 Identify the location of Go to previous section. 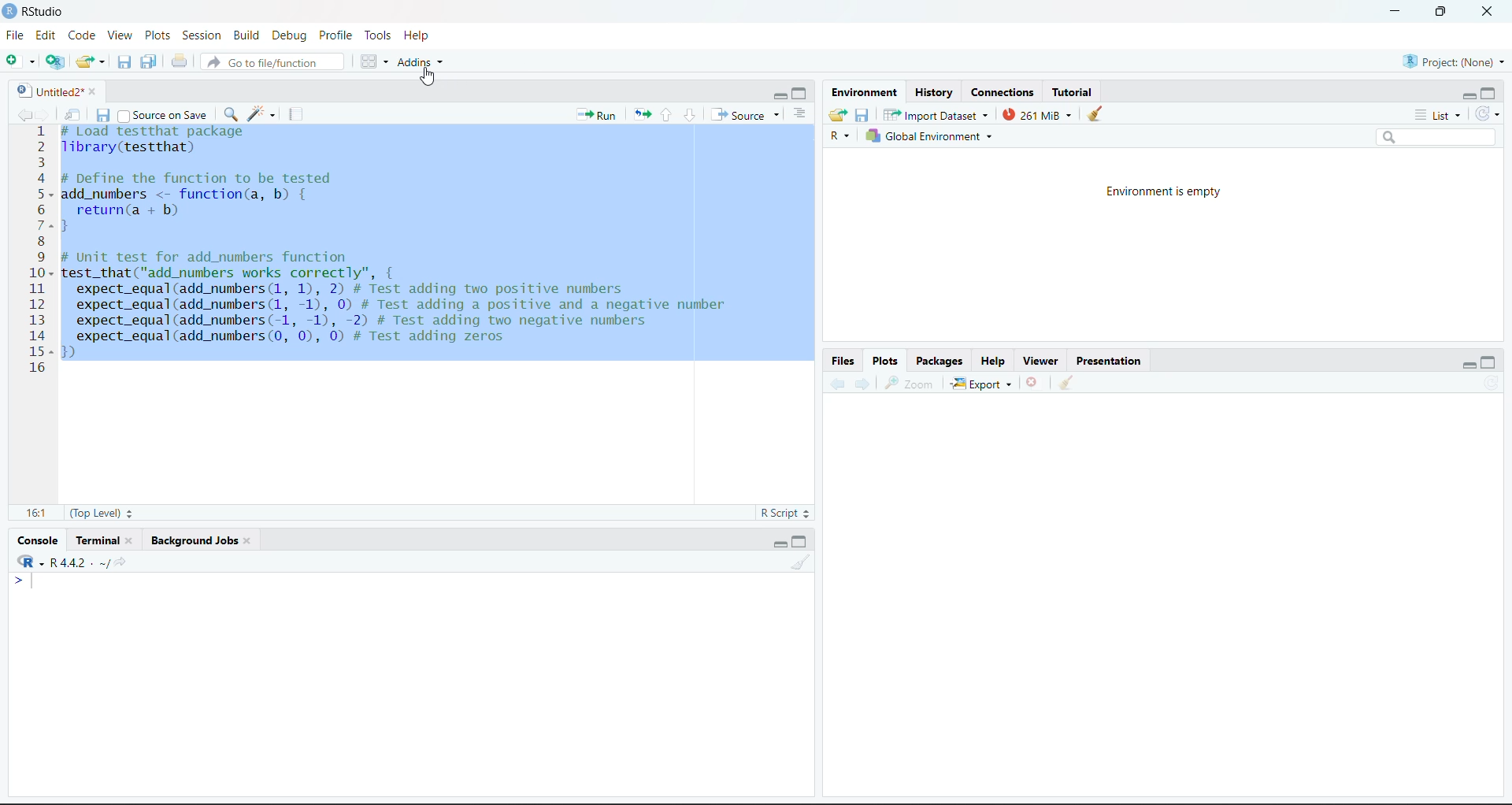
(665, 114).